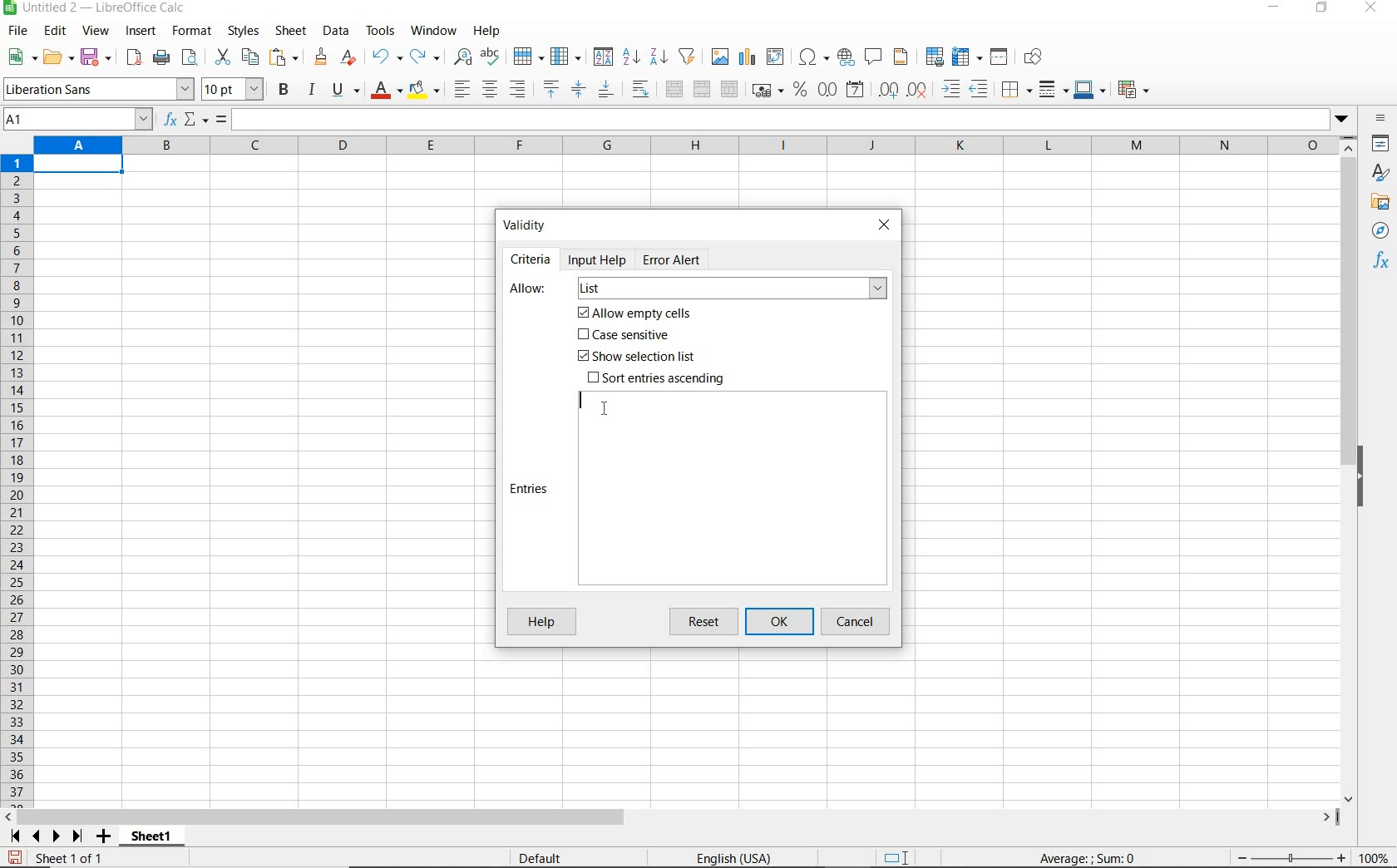 This screenshot has width=1397, height=868. I want to click on file, so click(15, 33).